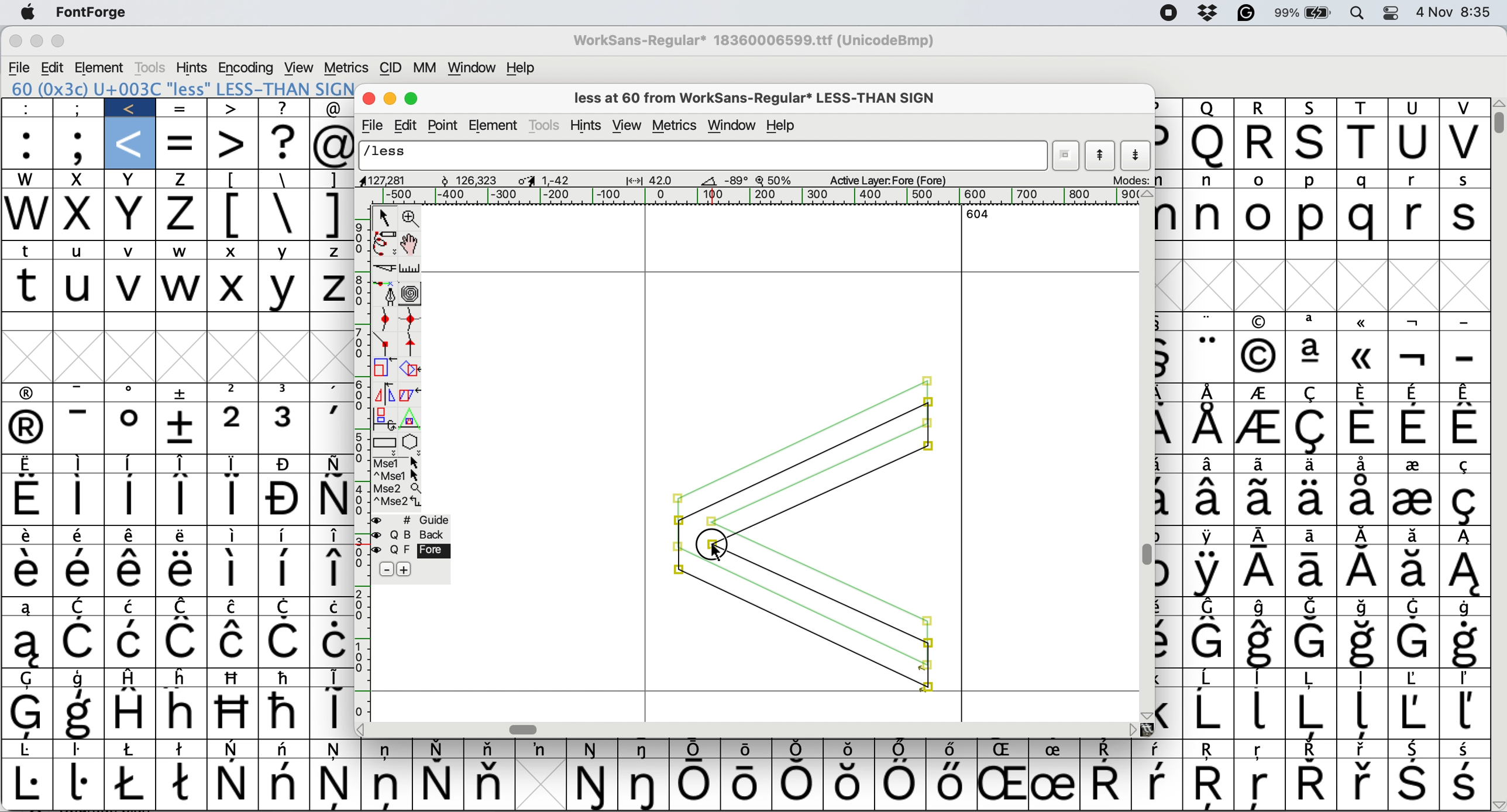  I want to click on ?, so click(284, 142).